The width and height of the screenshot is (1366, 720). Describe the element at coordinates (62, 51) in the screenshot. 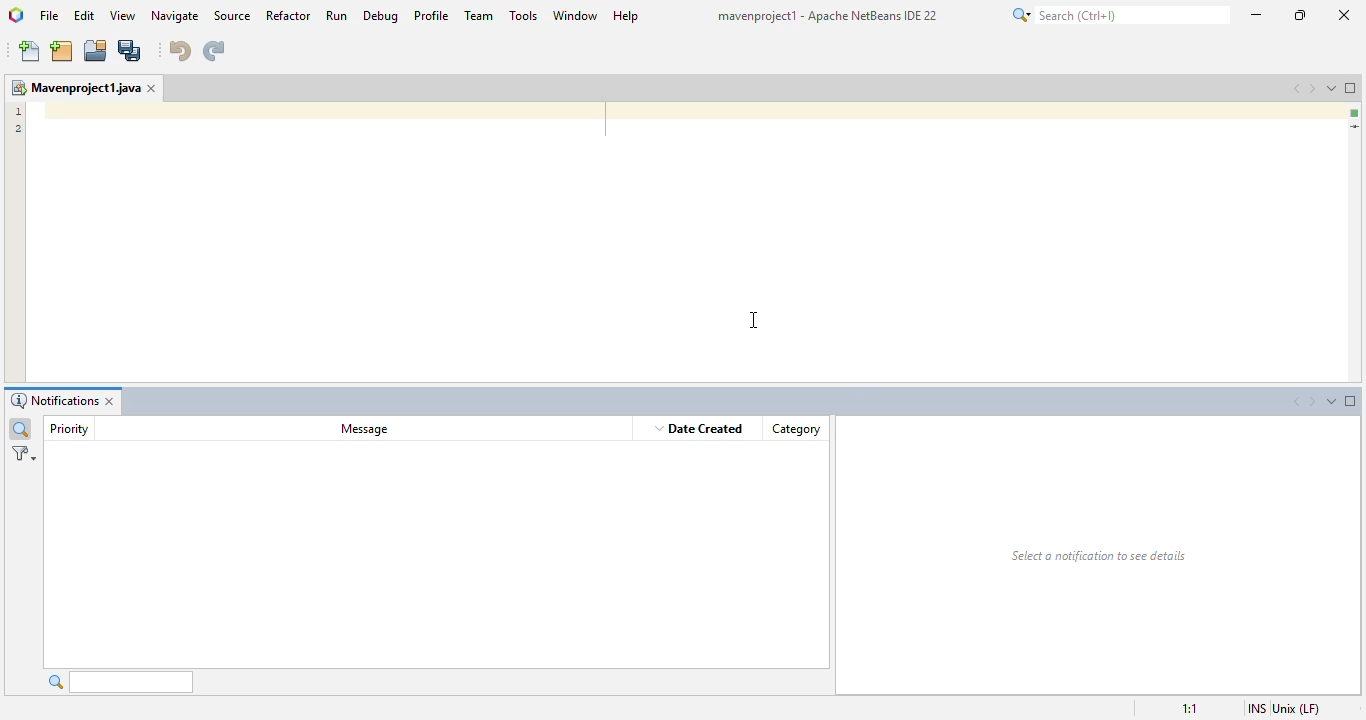

I see `new project` at that location.